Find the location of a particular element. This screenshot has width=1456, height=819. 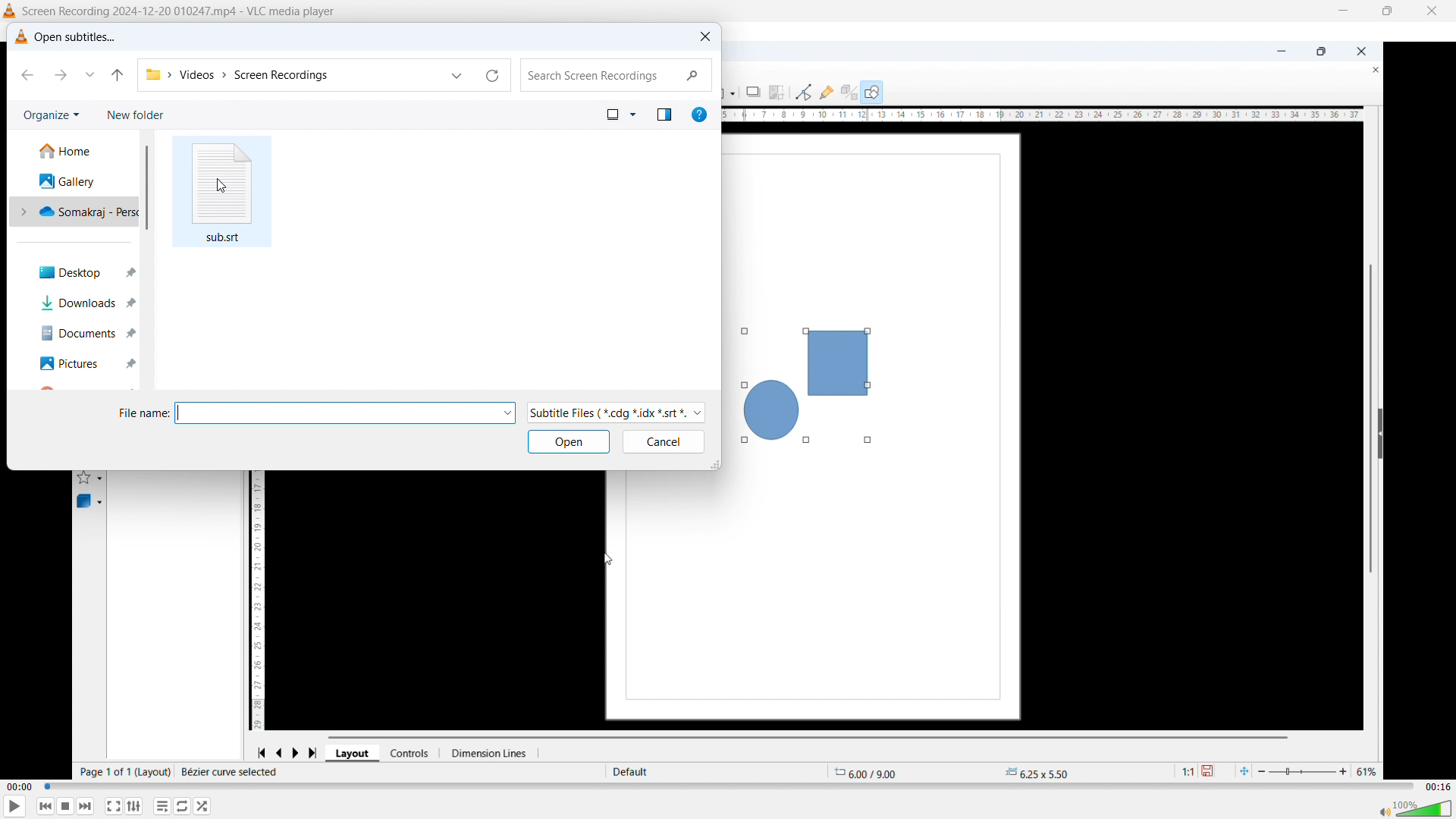

dimension lines is located at coordinates (492, 753).